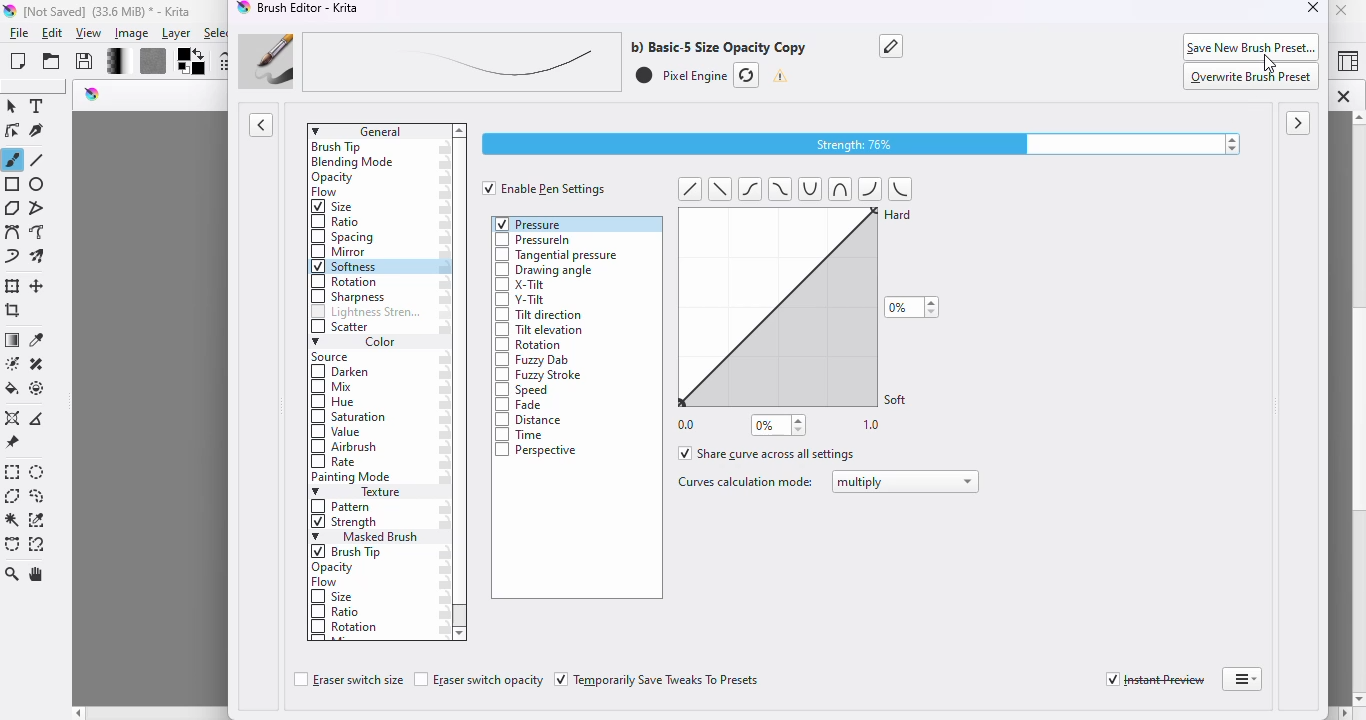 Image resolution: width=1366 pixels, height=720 pixels. Describe the element at coordinates (344, 237) in the screenshot. I see `spacing` at that location.